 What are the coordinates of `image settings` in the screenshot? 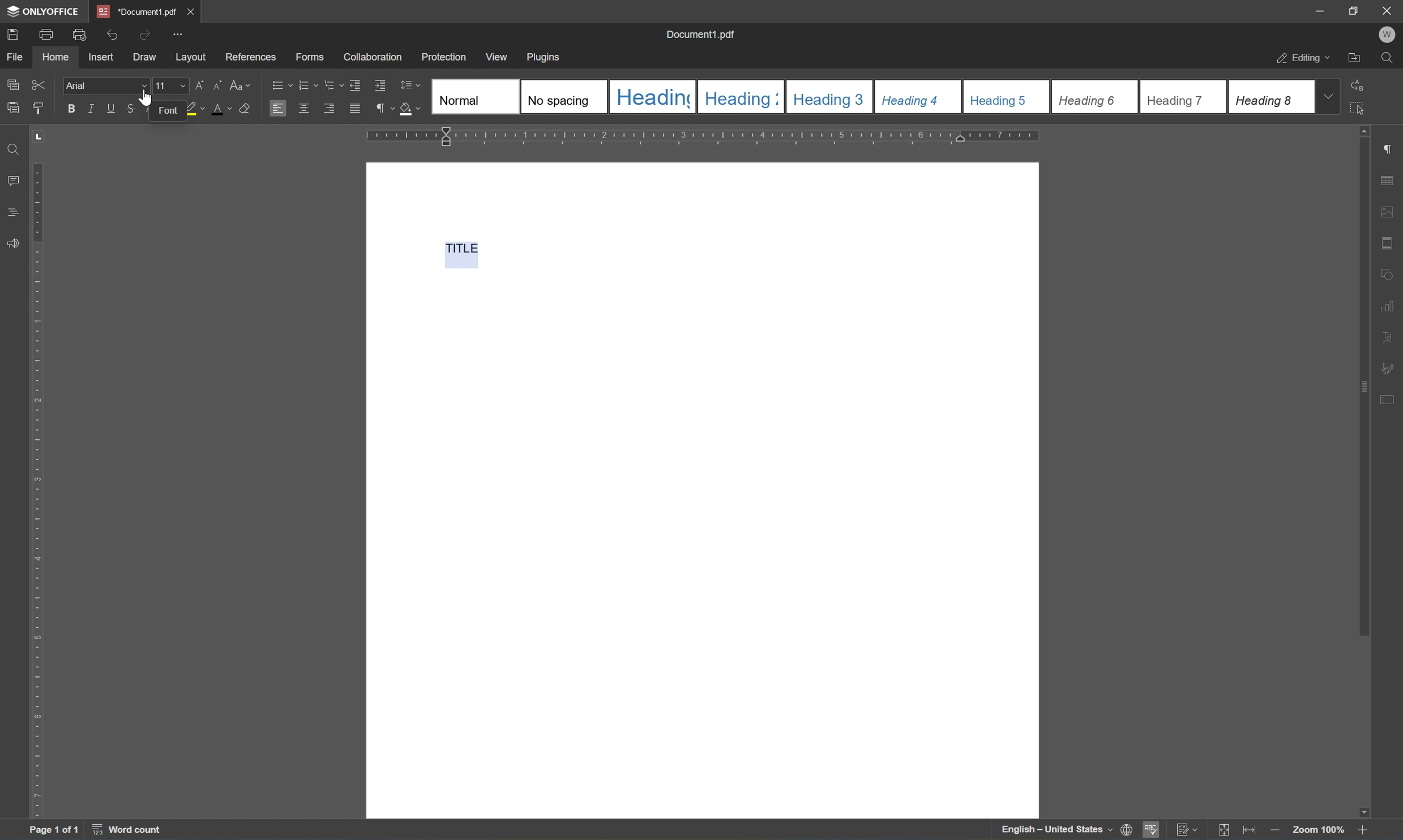 It's located at (1391, 212).